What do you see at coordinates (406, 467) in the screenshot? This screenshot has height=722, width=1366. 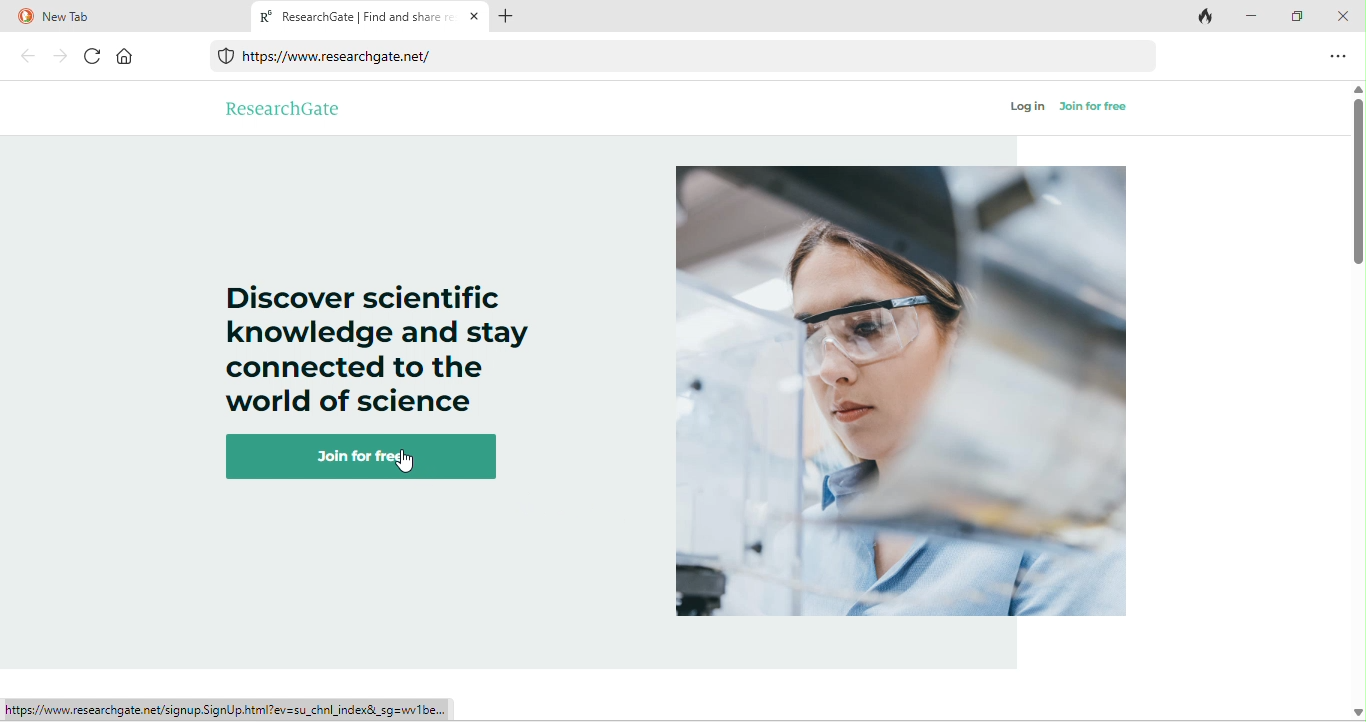 I see `cursor` at bounding box center [406, 467].